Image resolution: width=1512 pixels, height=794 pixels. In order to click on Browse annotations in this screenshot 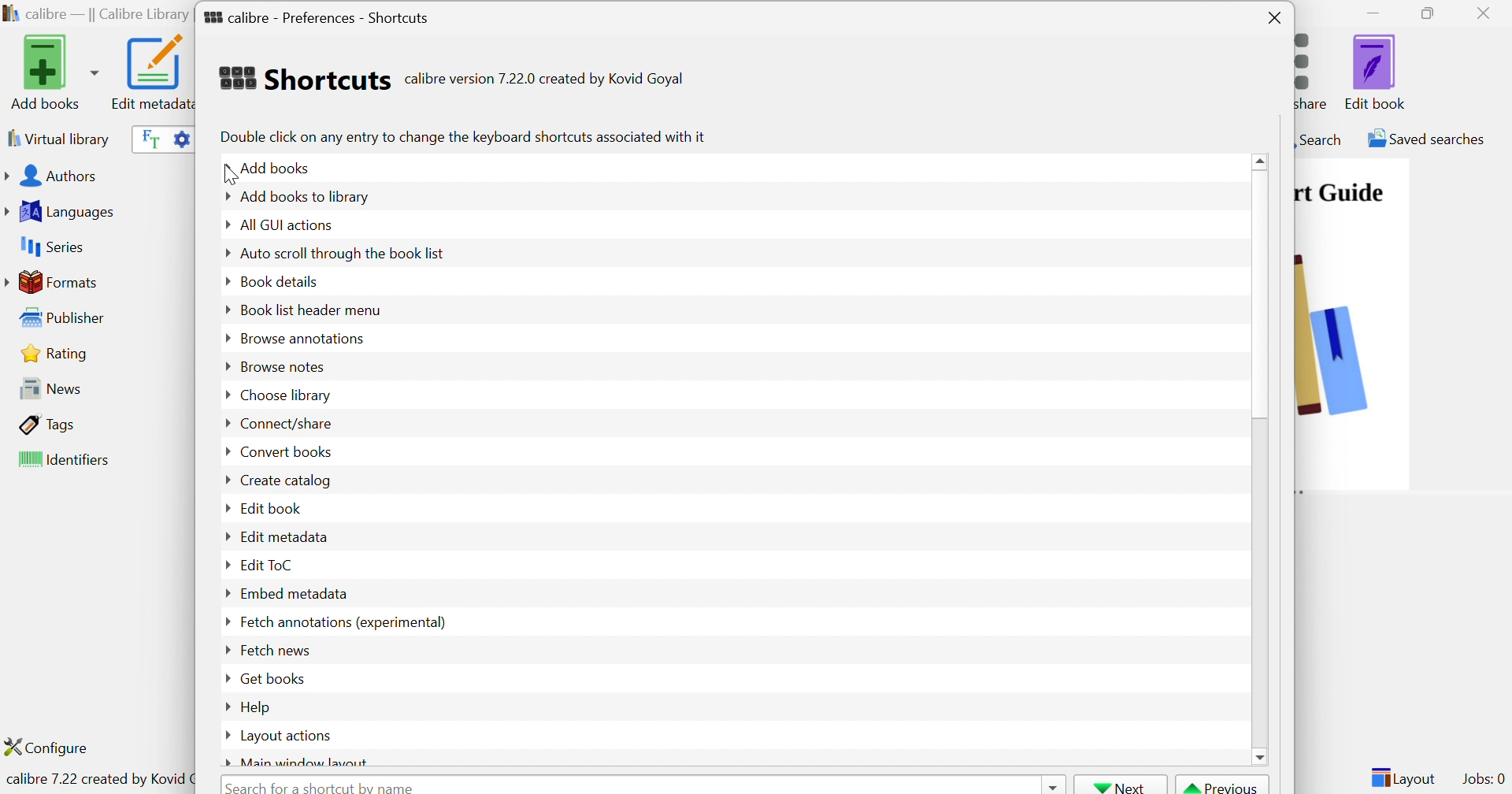, I will do `click(302, 337)`.